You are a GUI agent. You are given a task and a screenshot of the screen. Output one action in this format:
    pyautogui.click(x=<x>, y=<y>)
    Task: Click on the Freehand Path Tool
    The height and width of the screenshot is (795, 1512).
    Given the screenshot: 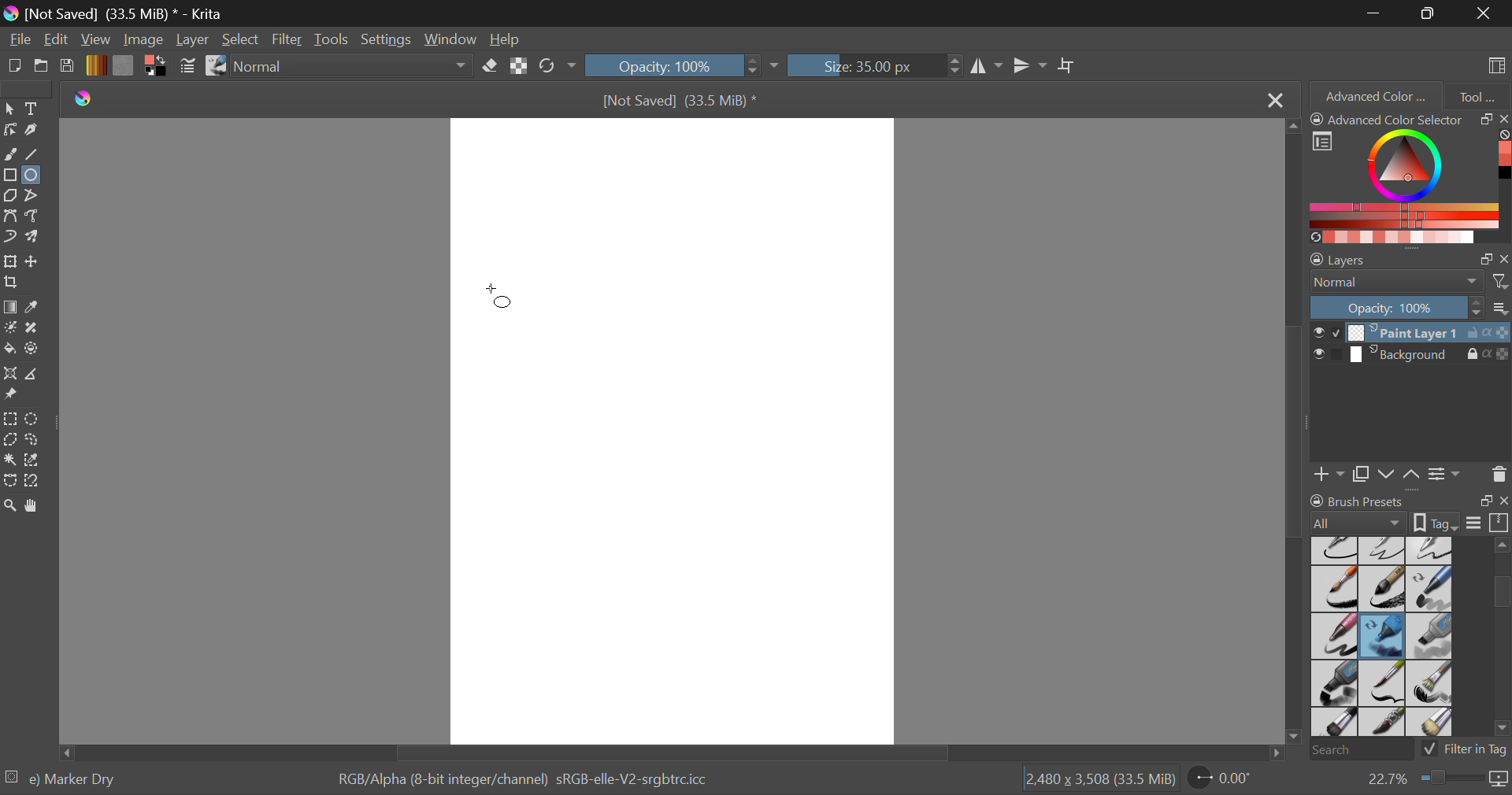 What is the action you would take?
    pyautogui.click(x=32, y=215)
    